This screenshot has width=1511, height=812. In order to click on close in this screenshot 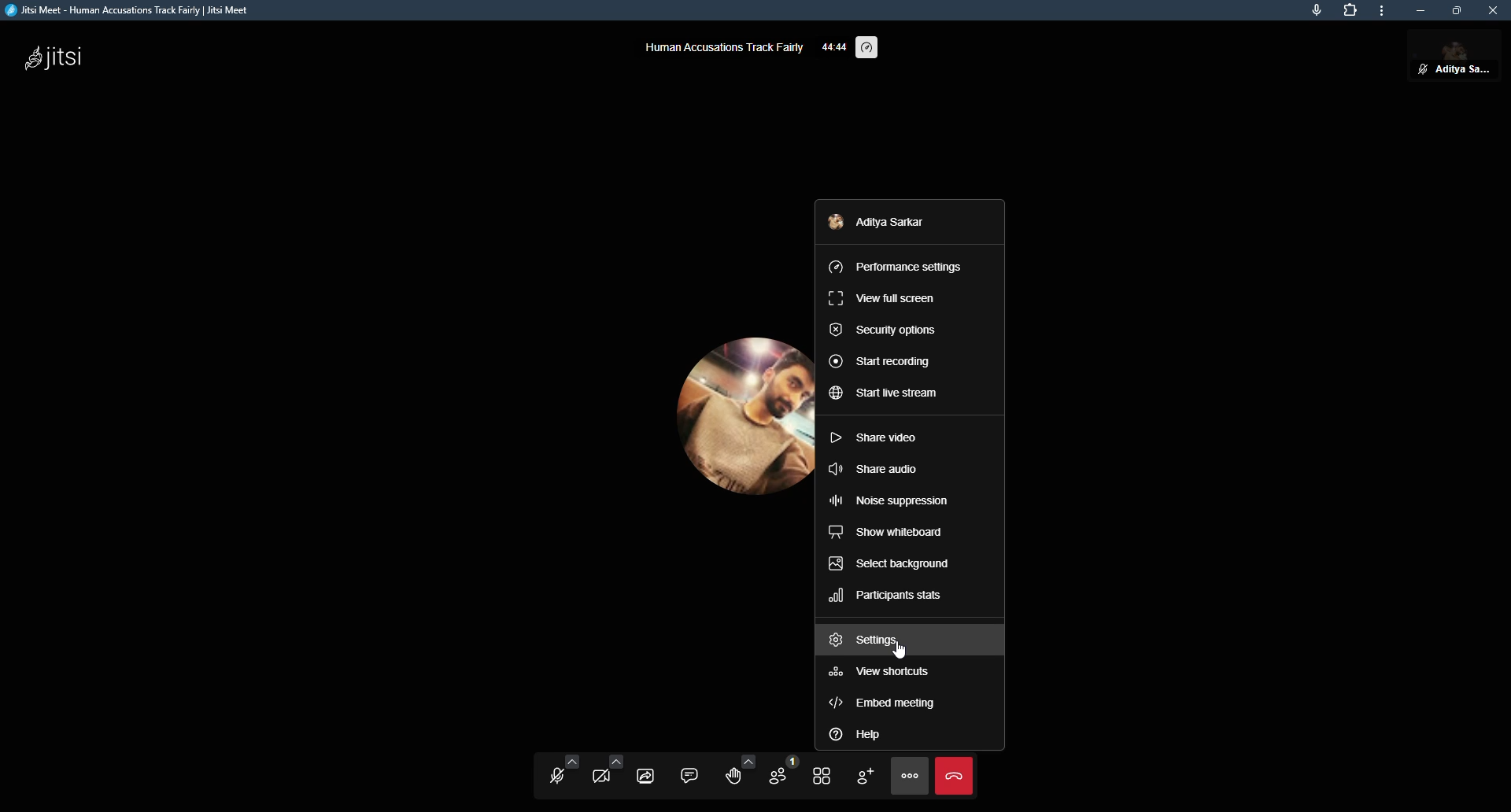, I will do `click(1495, 10)`.